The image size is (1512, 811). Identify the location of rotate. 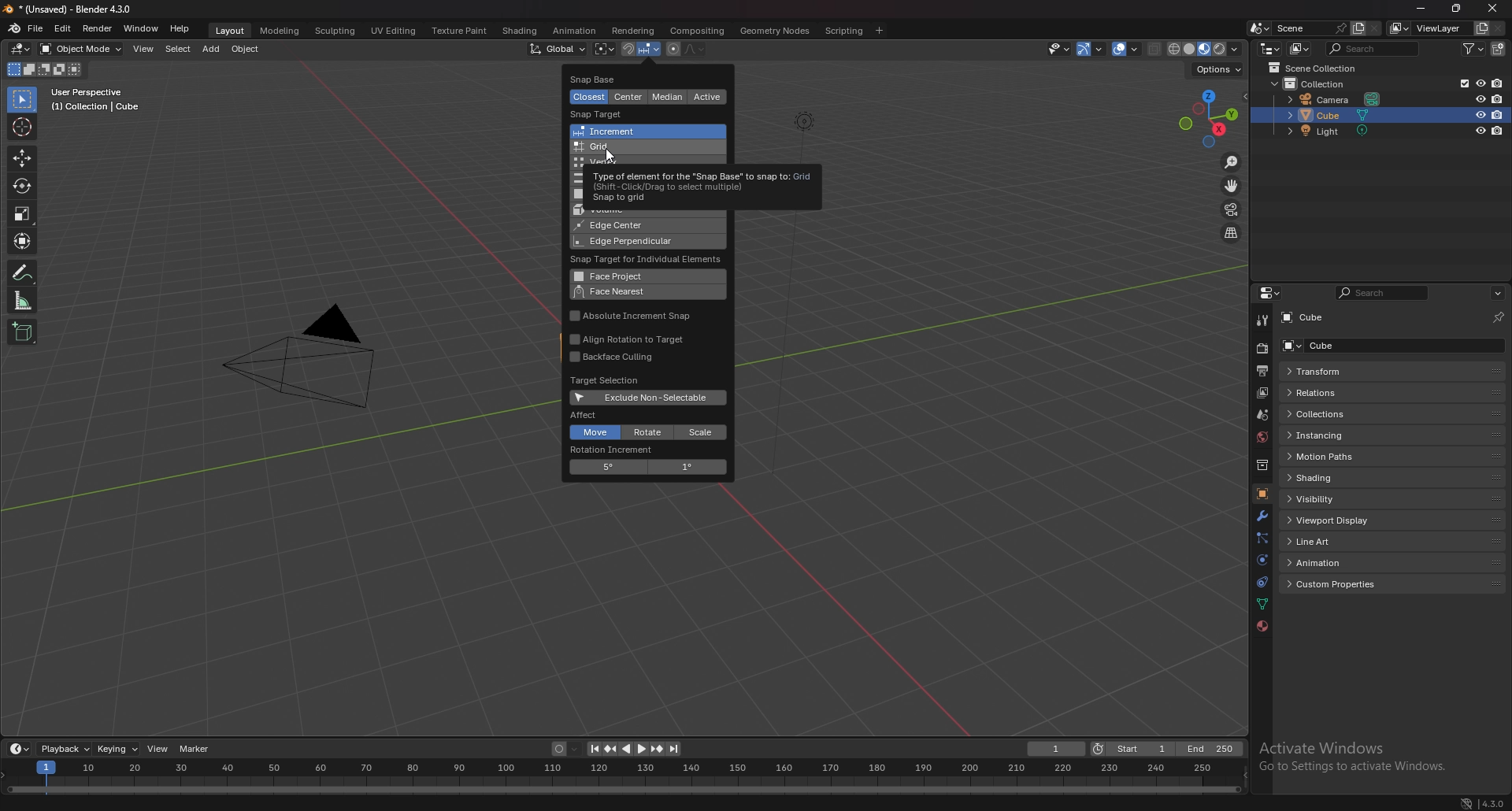
(650, 432).